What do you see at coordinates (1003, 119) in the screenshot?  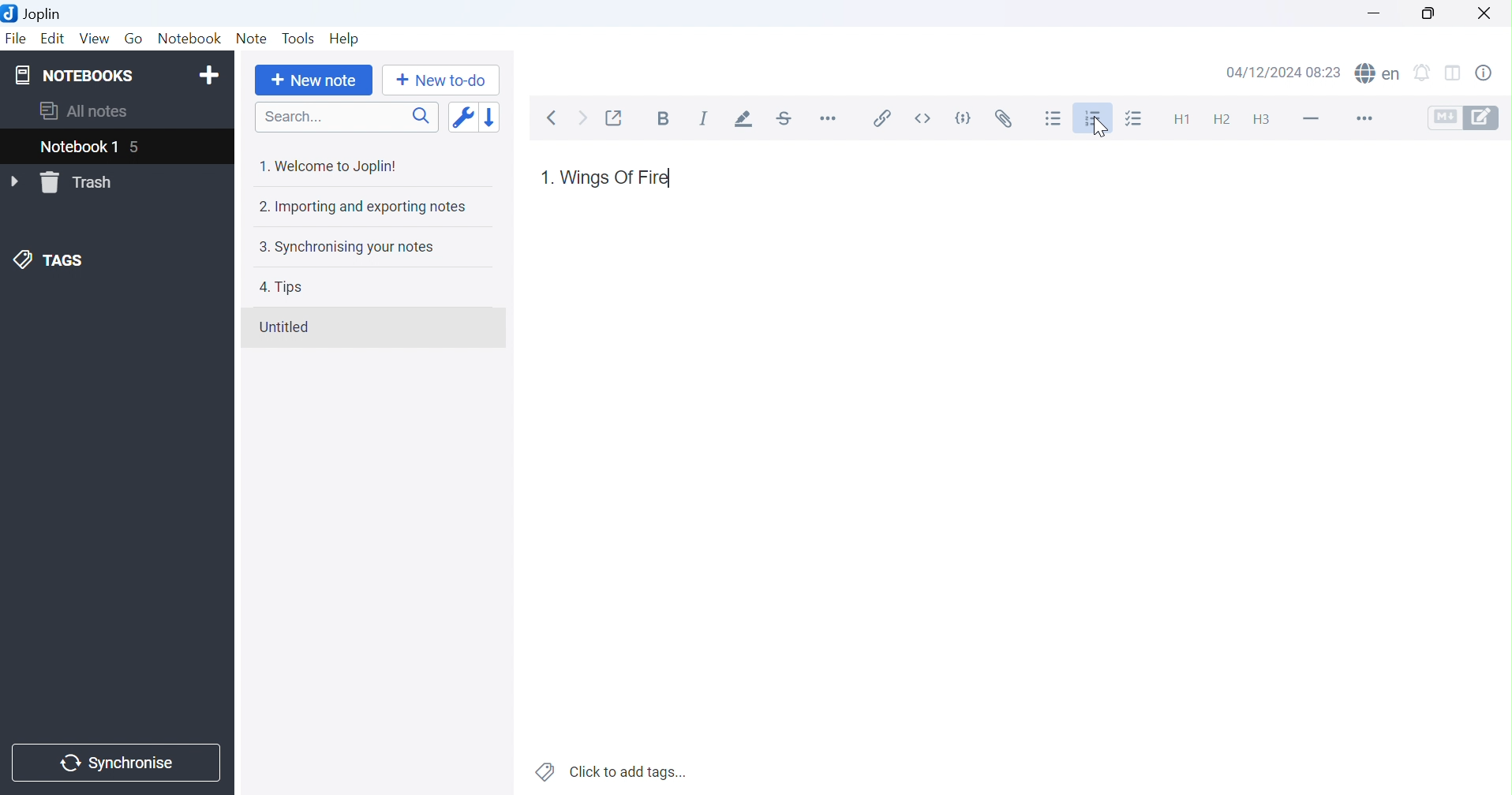 I see `Attach file` at bounding box center [1003, 119].